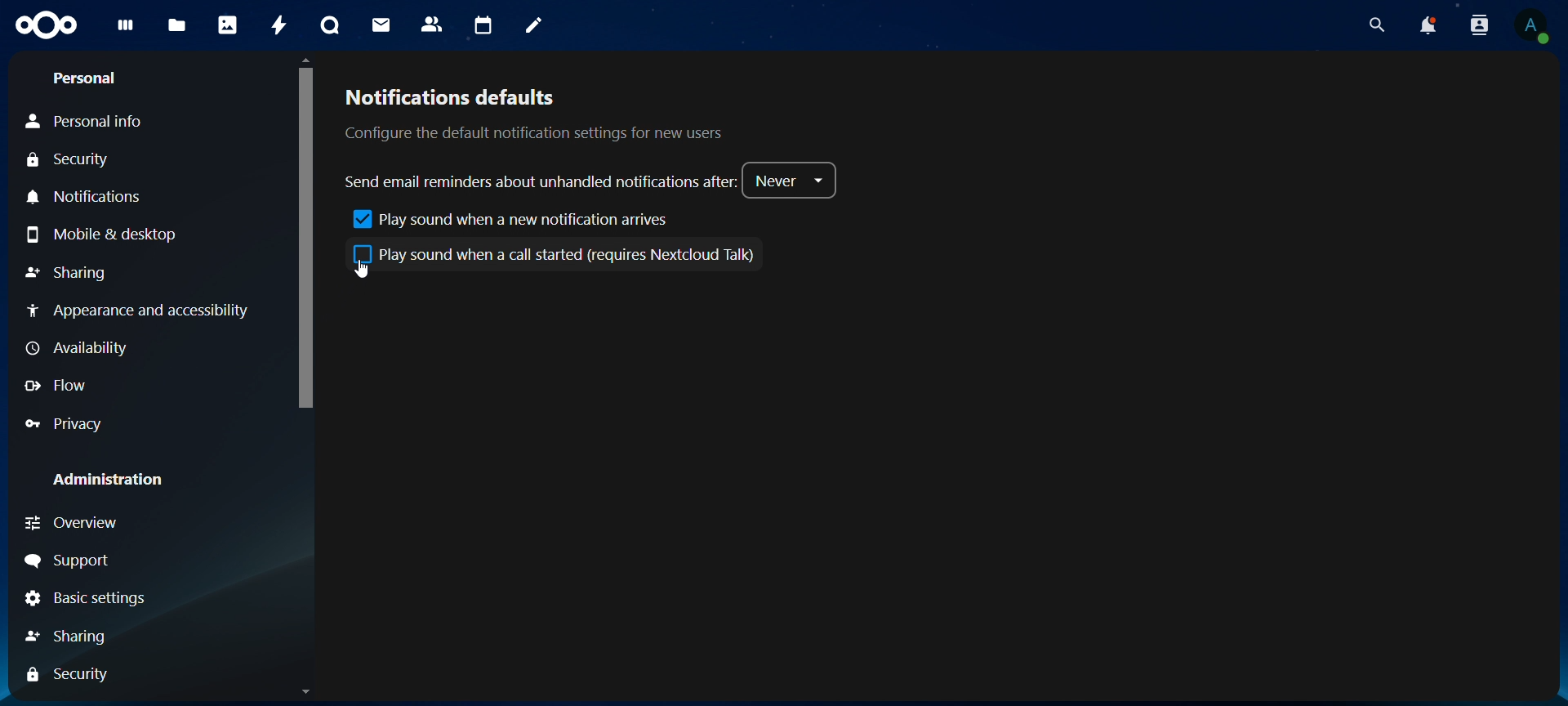  I want to click on Personal, so click(83, 78).